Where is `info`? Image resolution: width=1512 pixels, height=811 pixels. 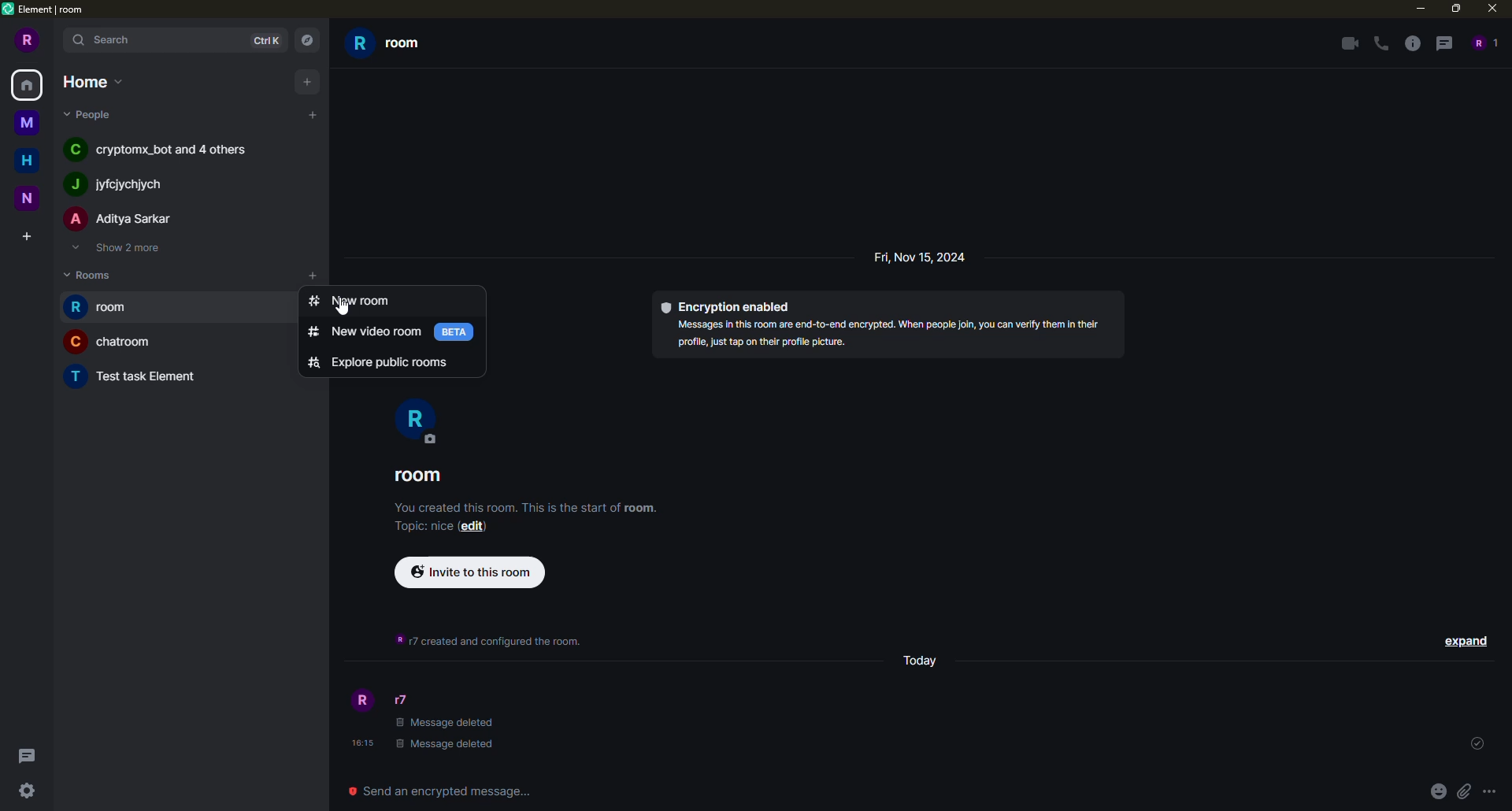 info is located at coordinates (1411, 43).